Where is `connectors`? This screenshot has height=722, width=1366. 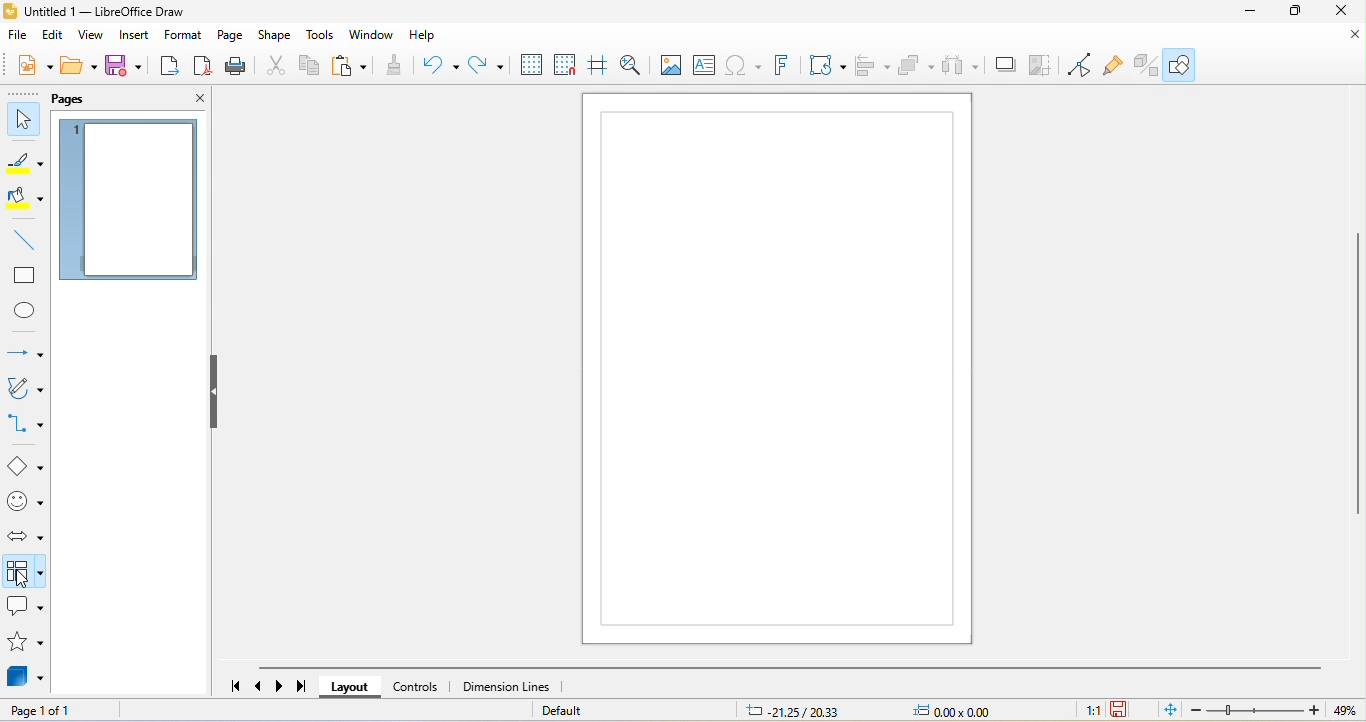
connectors is located at coordinates (26, 425).